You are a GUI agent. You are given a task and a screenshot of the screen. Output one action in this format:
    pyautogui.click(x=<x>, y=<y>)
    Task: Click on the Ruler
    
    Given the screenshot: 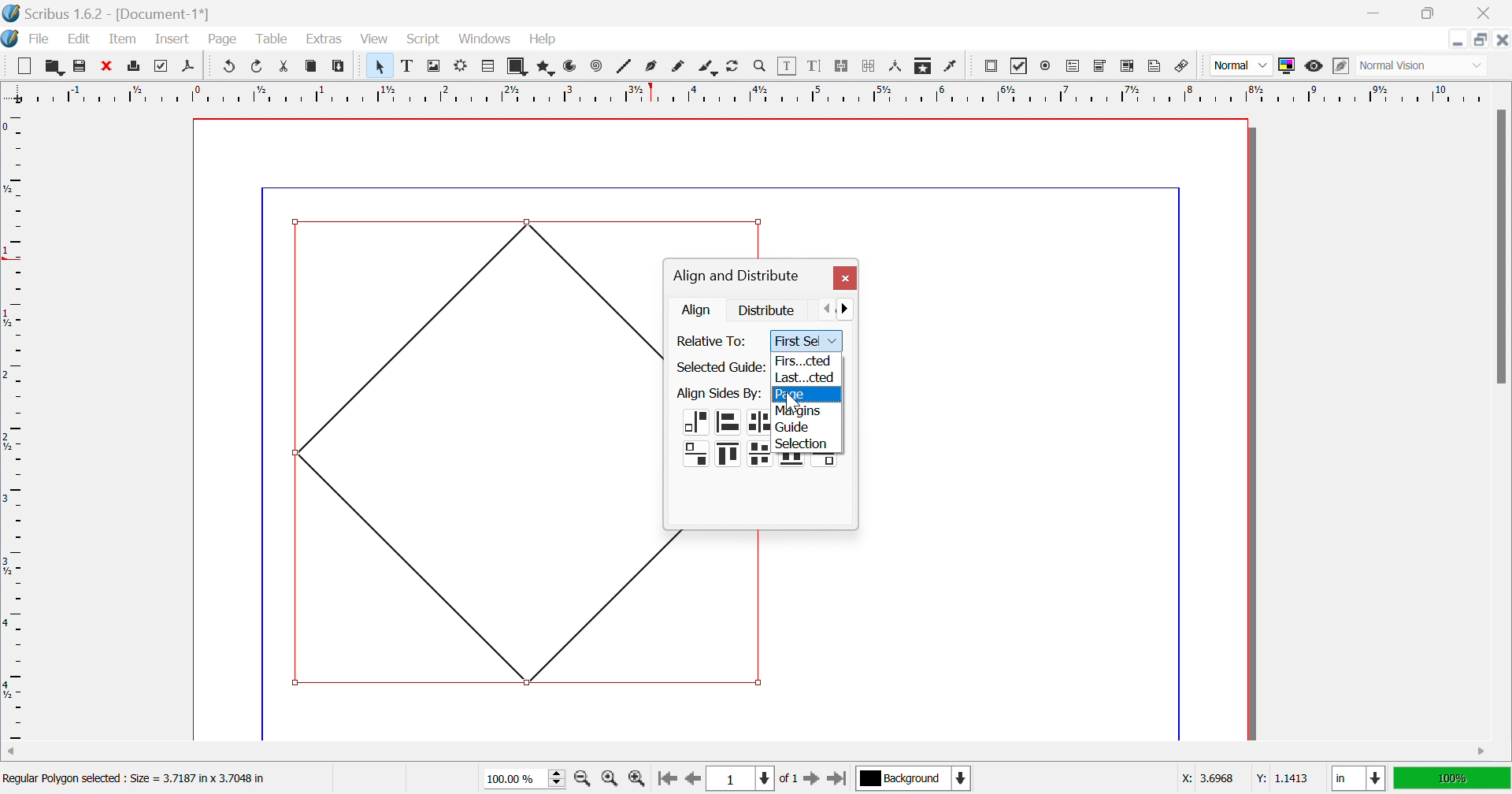 What is the action you would take?
    pyautogui.click(x=746, y=92)
    